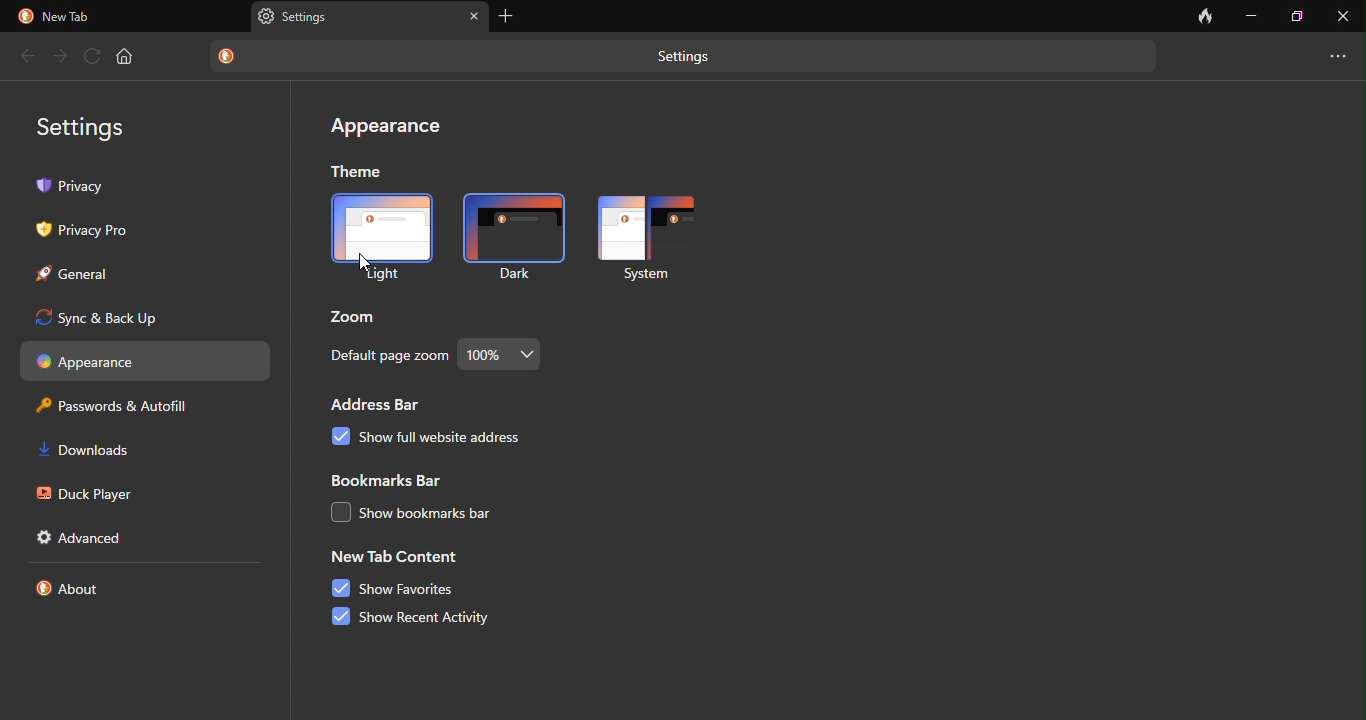 This screenshot has height=720, width=1366. I want to click on appearance, so click(145, 361).